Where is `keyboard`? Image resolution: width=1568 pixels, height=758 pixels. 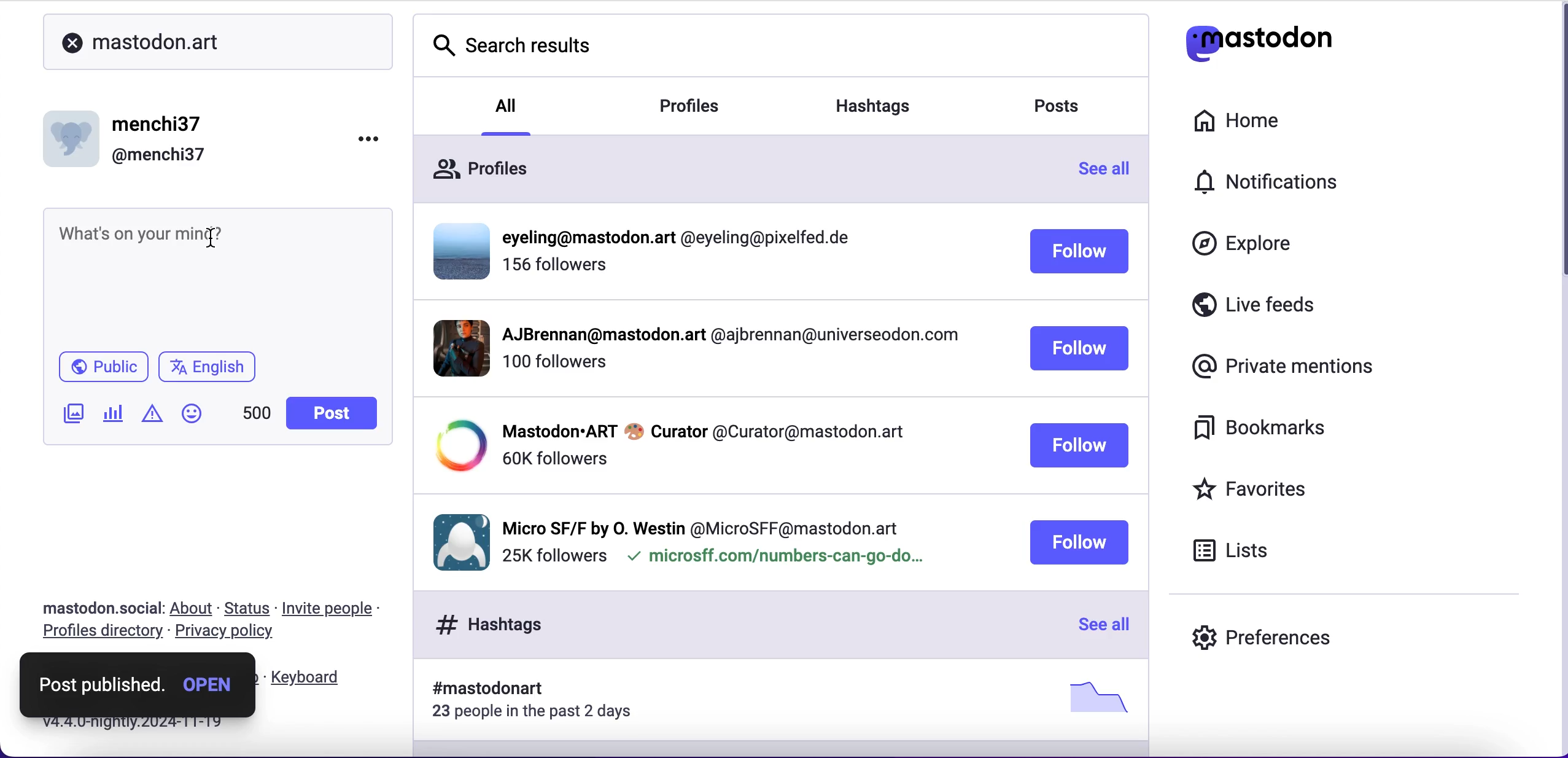
keyboard is located at coordinates (309, 678).